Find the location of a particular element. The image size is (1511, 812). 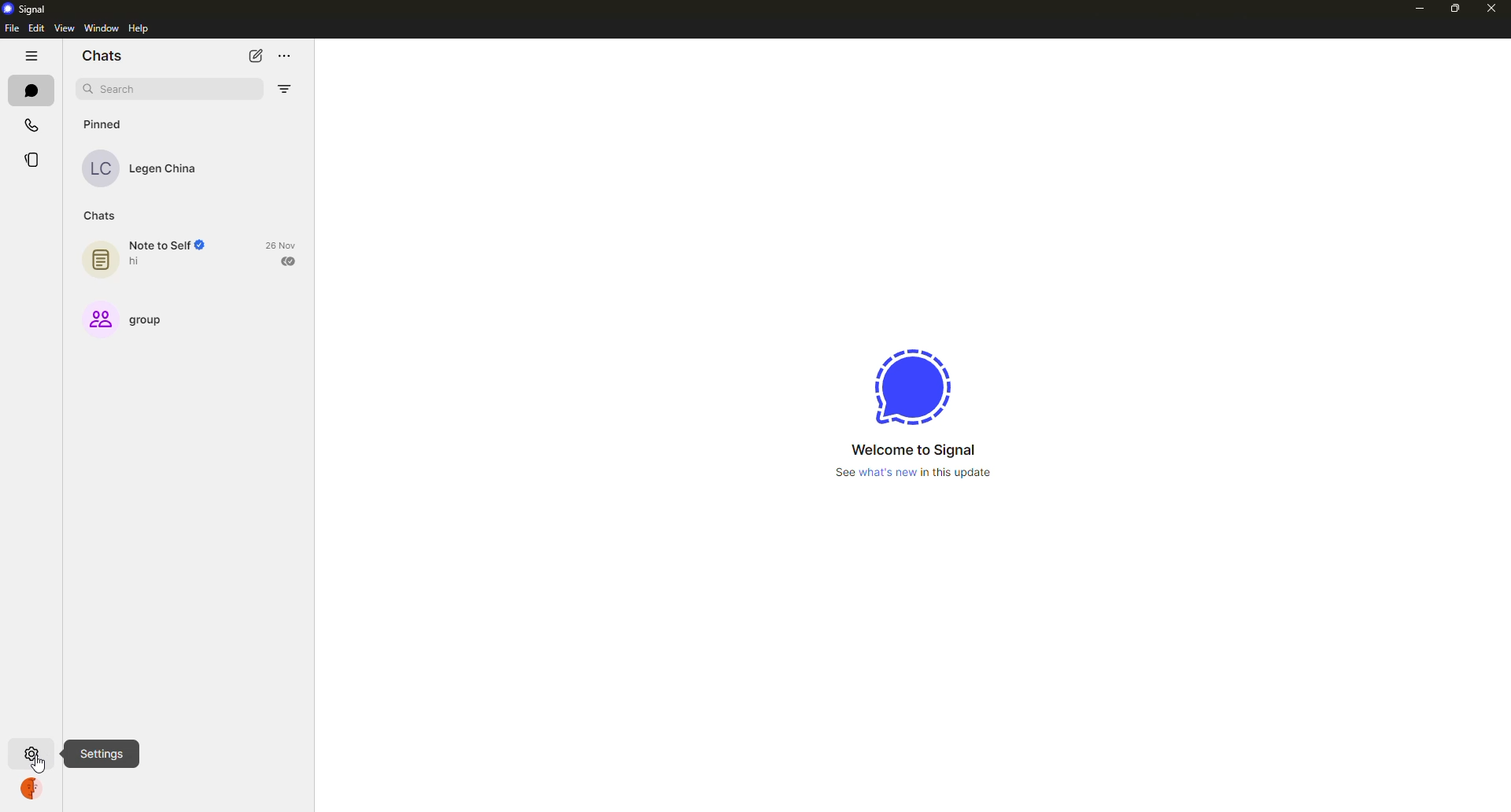

sent is located at coordinates (289, 261).